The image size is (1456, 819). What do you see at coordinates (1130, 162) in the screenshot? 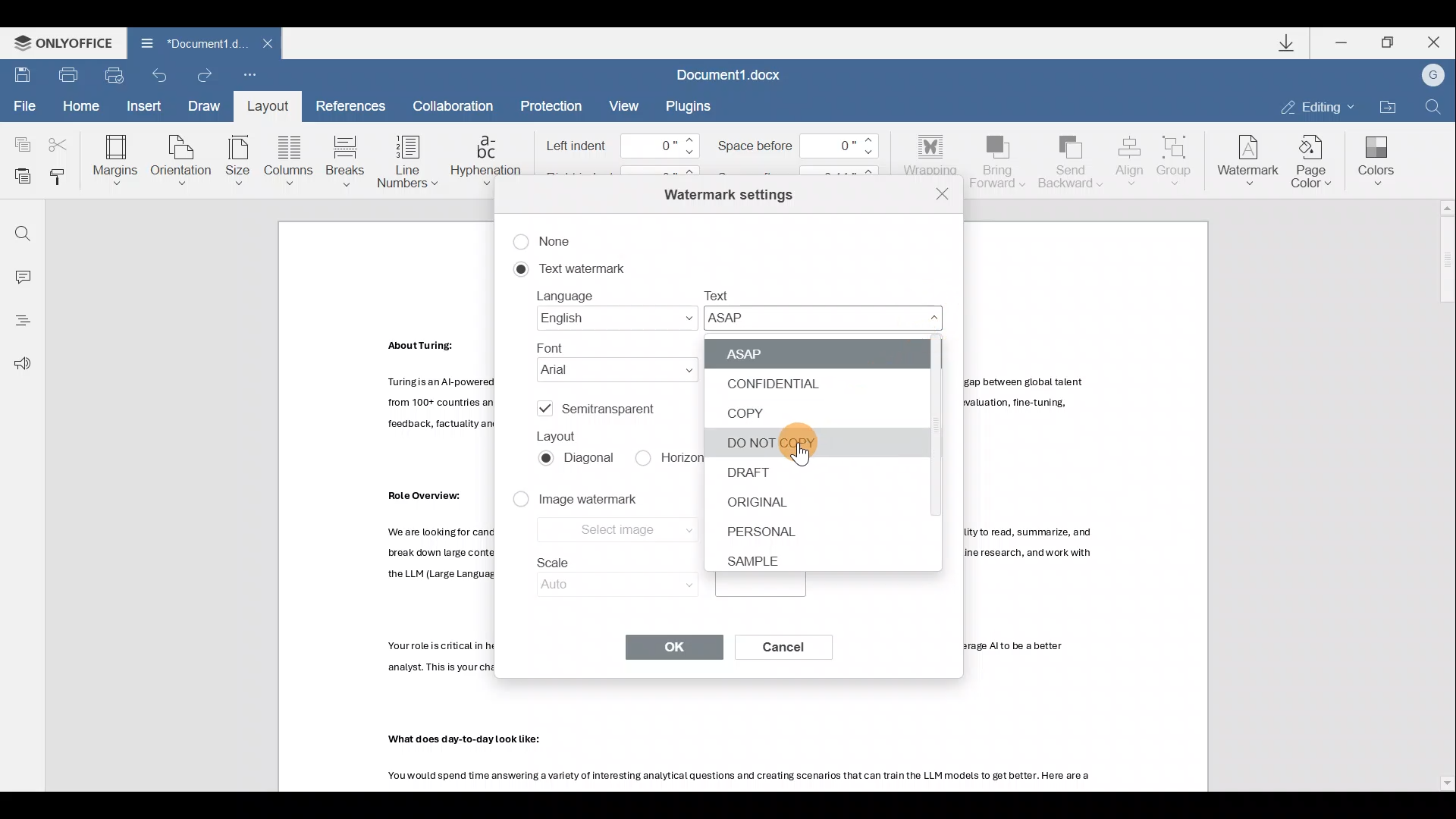
I see `Align` at bounding box center [1130, 162].